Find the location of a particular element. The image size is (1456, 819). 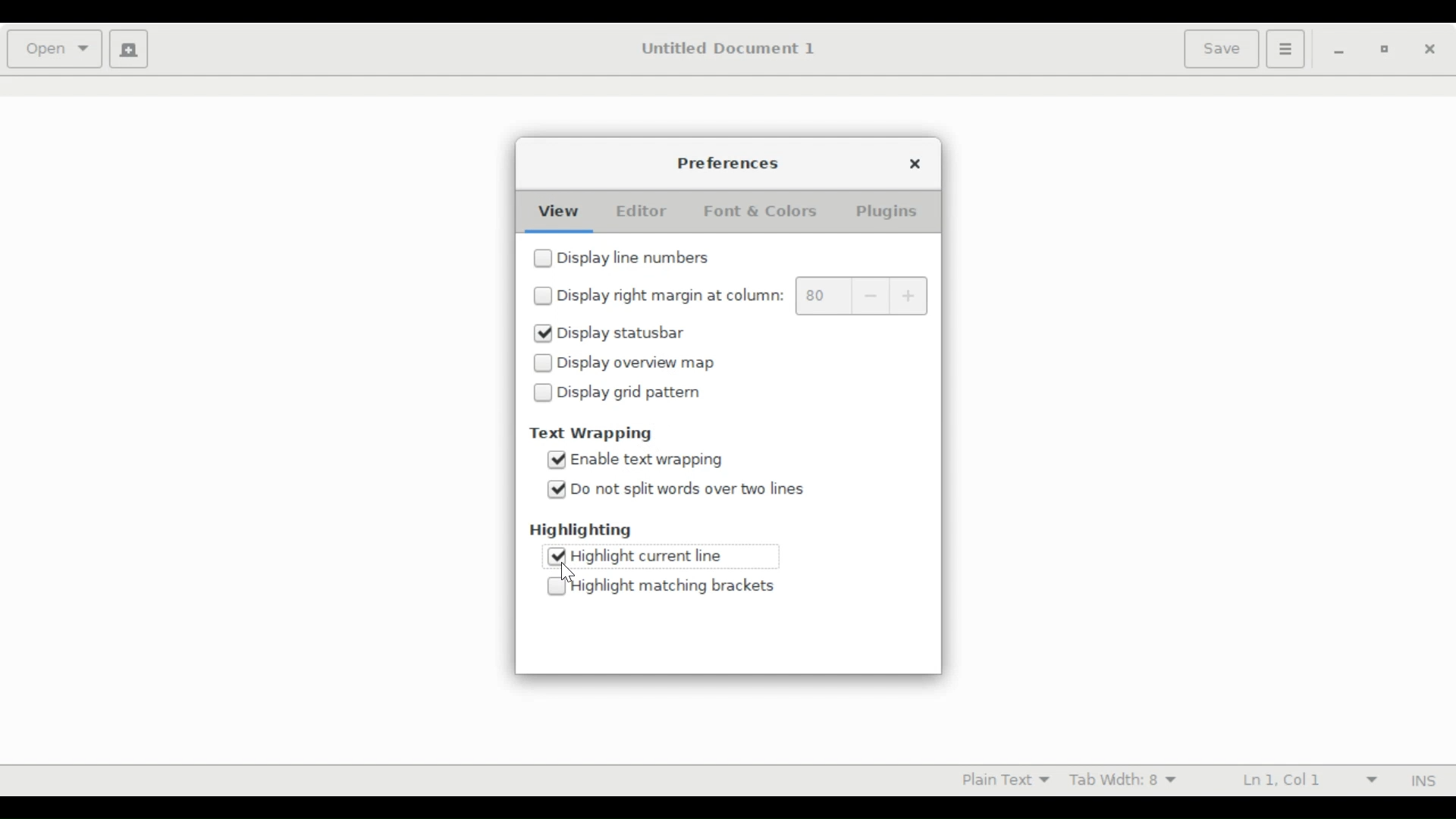

Preferences is located at coordinates (727, 163).